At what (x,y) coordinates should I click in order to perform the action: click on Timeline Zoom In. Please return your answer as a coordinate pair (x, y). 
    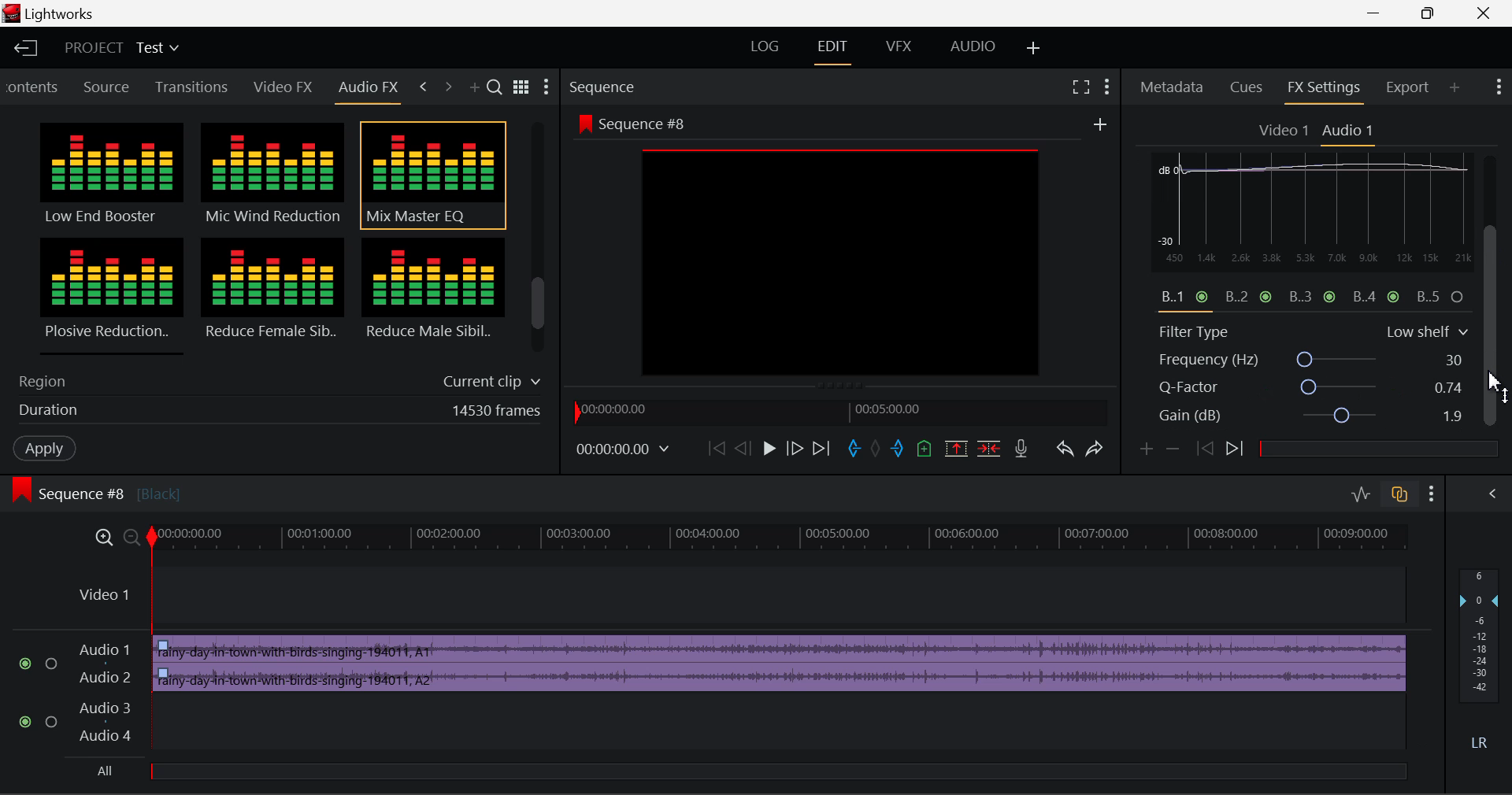
    Looking at the image, I should click on (106, 538).